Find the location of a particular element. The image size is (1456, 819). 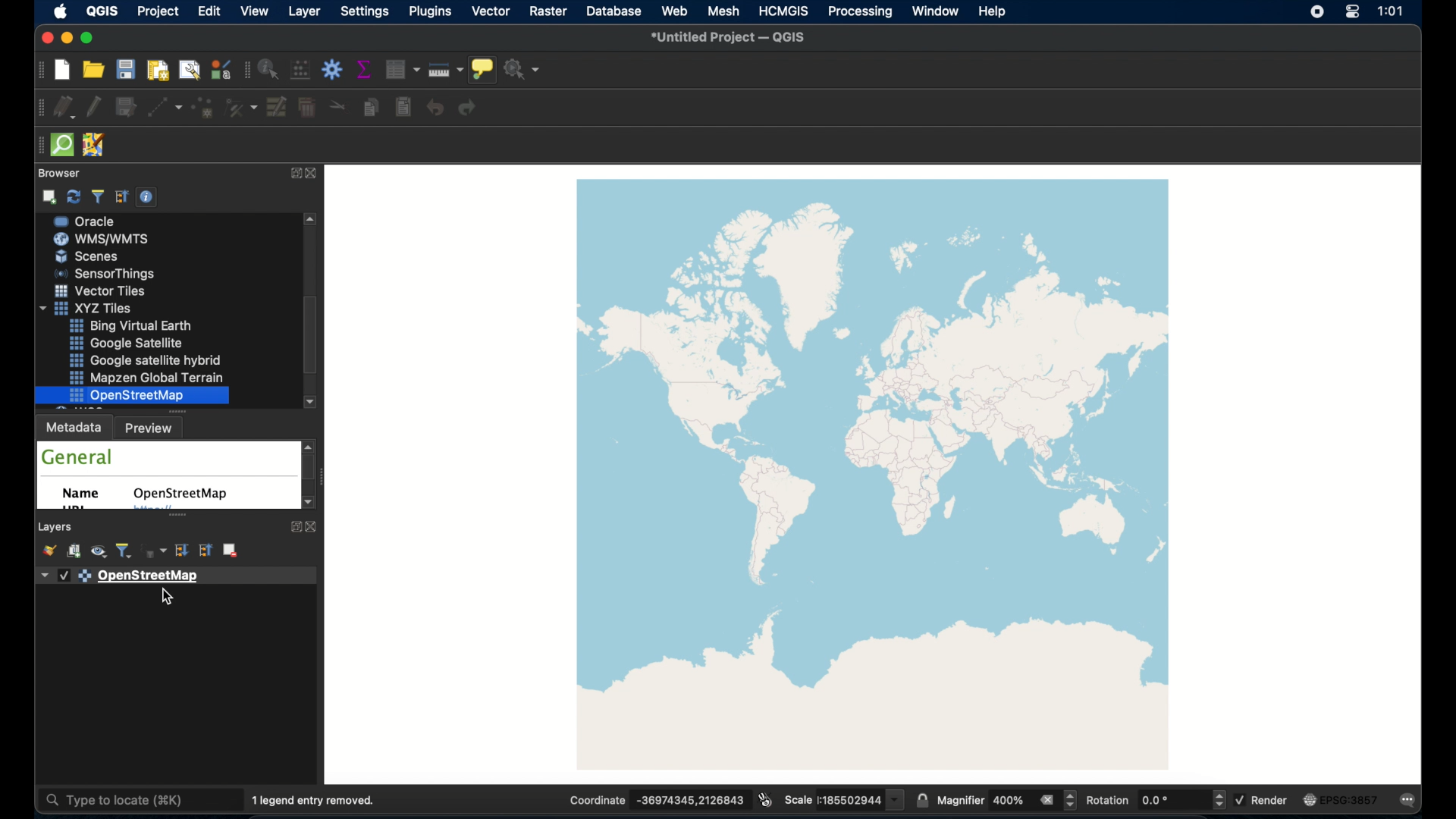

scale is located at coordinates (843, 799).